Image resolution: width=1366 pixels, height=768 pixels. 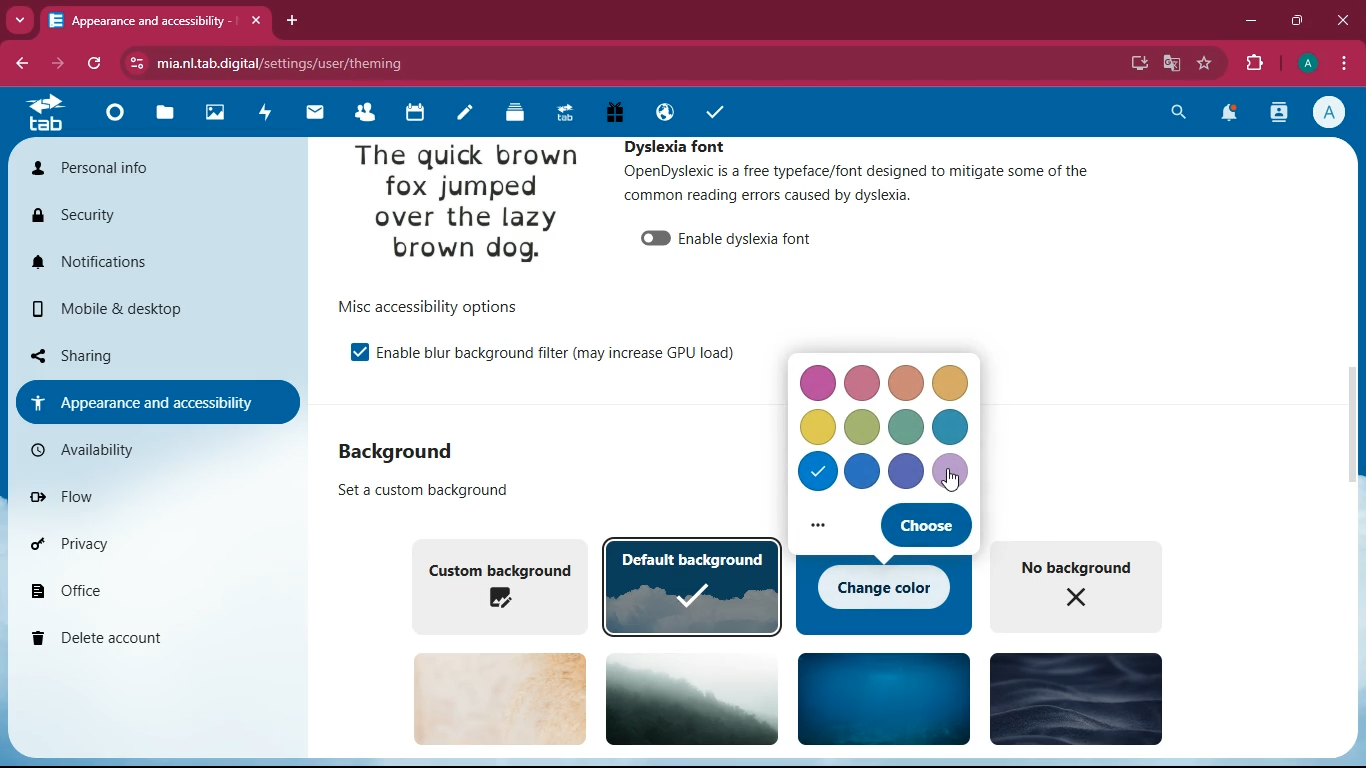 What do you see at coordinates (359, 353) in the screenshot?
I see `enable` at bounding box center [359, 353].